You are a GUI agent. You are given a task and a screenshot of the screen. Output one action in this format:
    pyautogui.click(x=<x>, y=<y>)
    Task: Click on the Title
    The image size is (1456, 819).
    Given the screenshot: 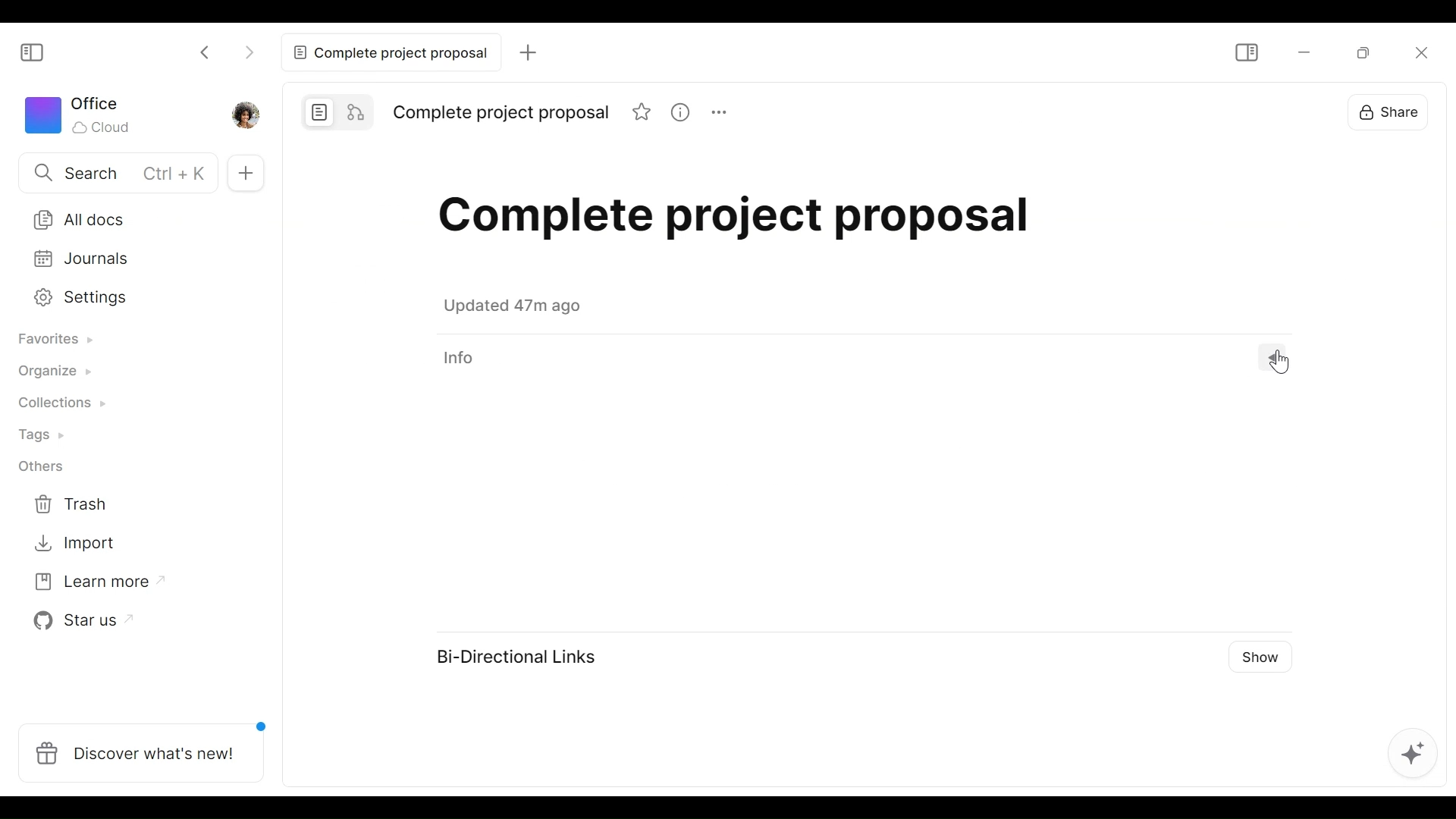 What is the action you would take?
    pyautogui.click(x=502, y=114)
    